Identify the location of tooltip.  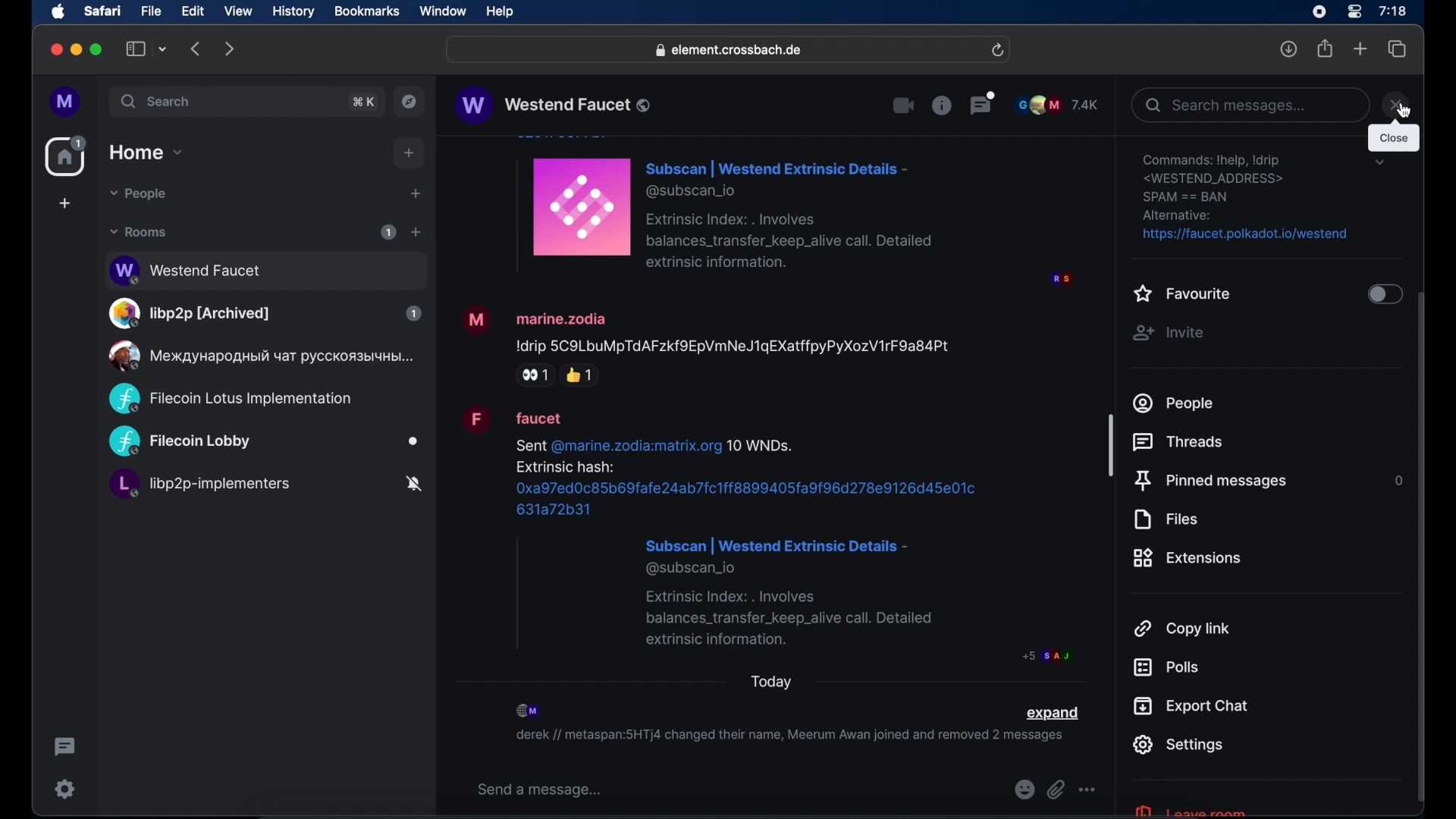
(1394, 139).